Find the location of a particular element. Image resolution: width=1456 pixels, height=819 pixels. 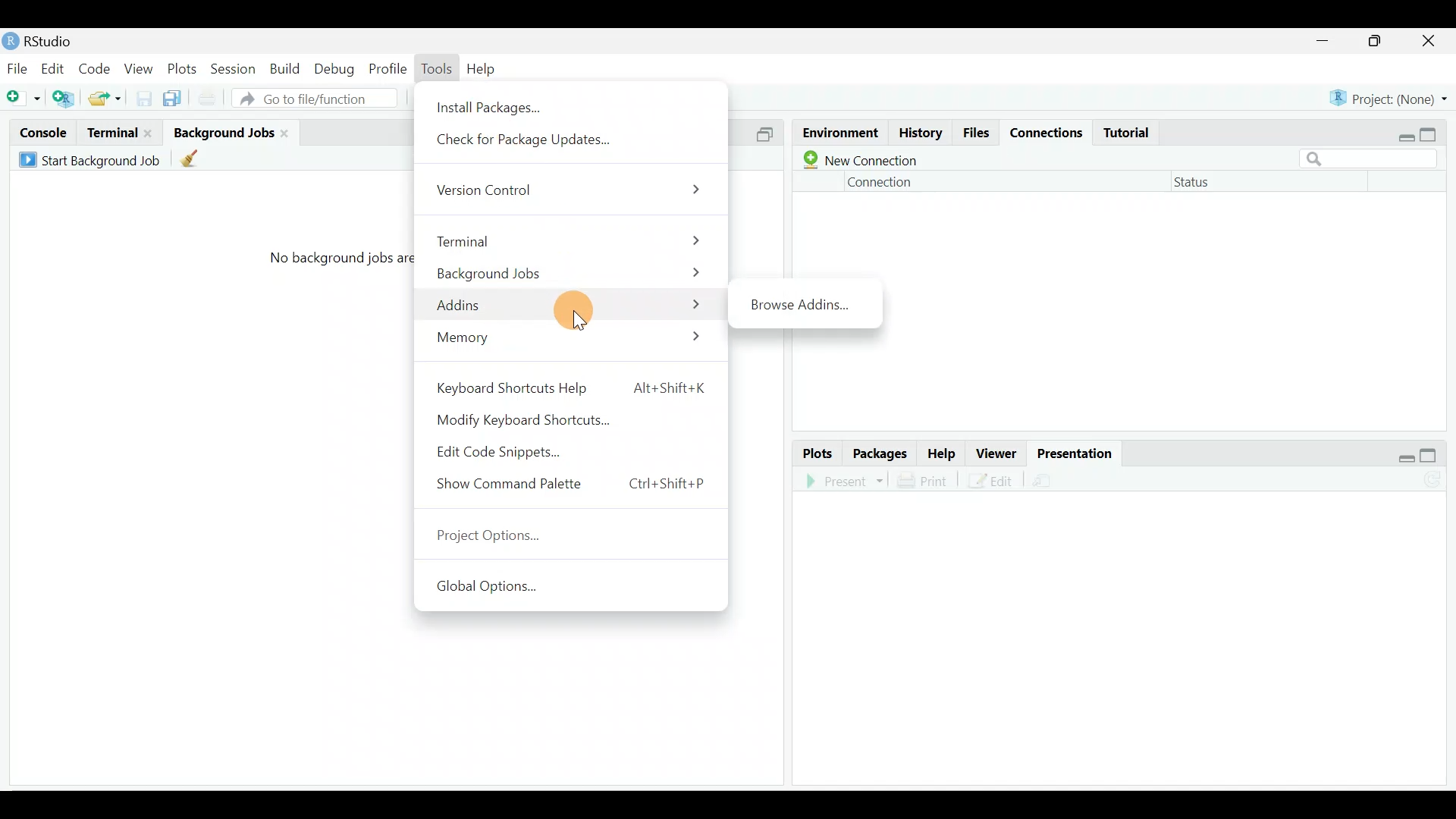

Presentation is located at coordinates (1068, 450).